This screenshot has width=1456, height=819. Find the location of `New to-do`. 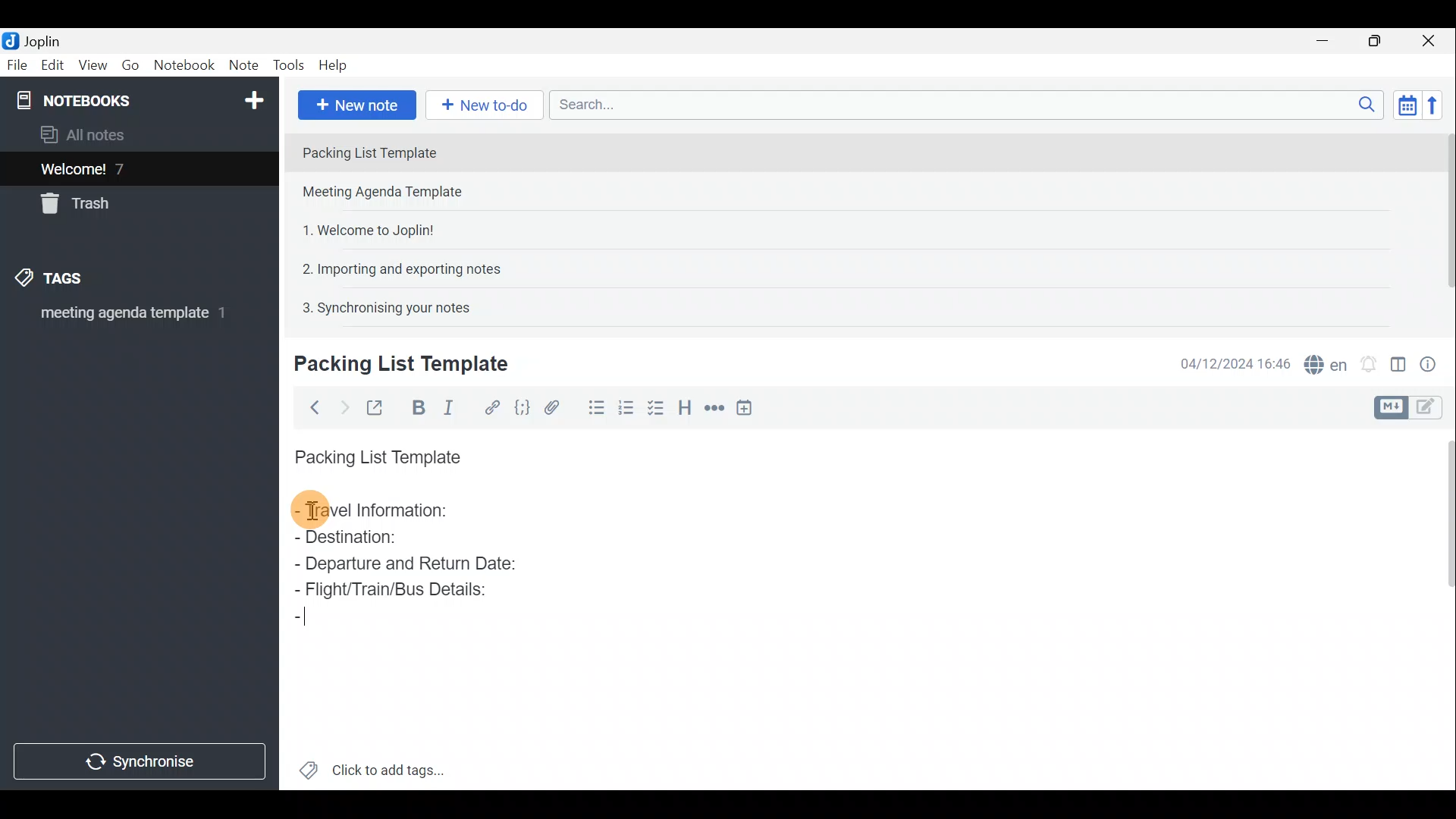

New to-do is located at coordinates (485, 105).